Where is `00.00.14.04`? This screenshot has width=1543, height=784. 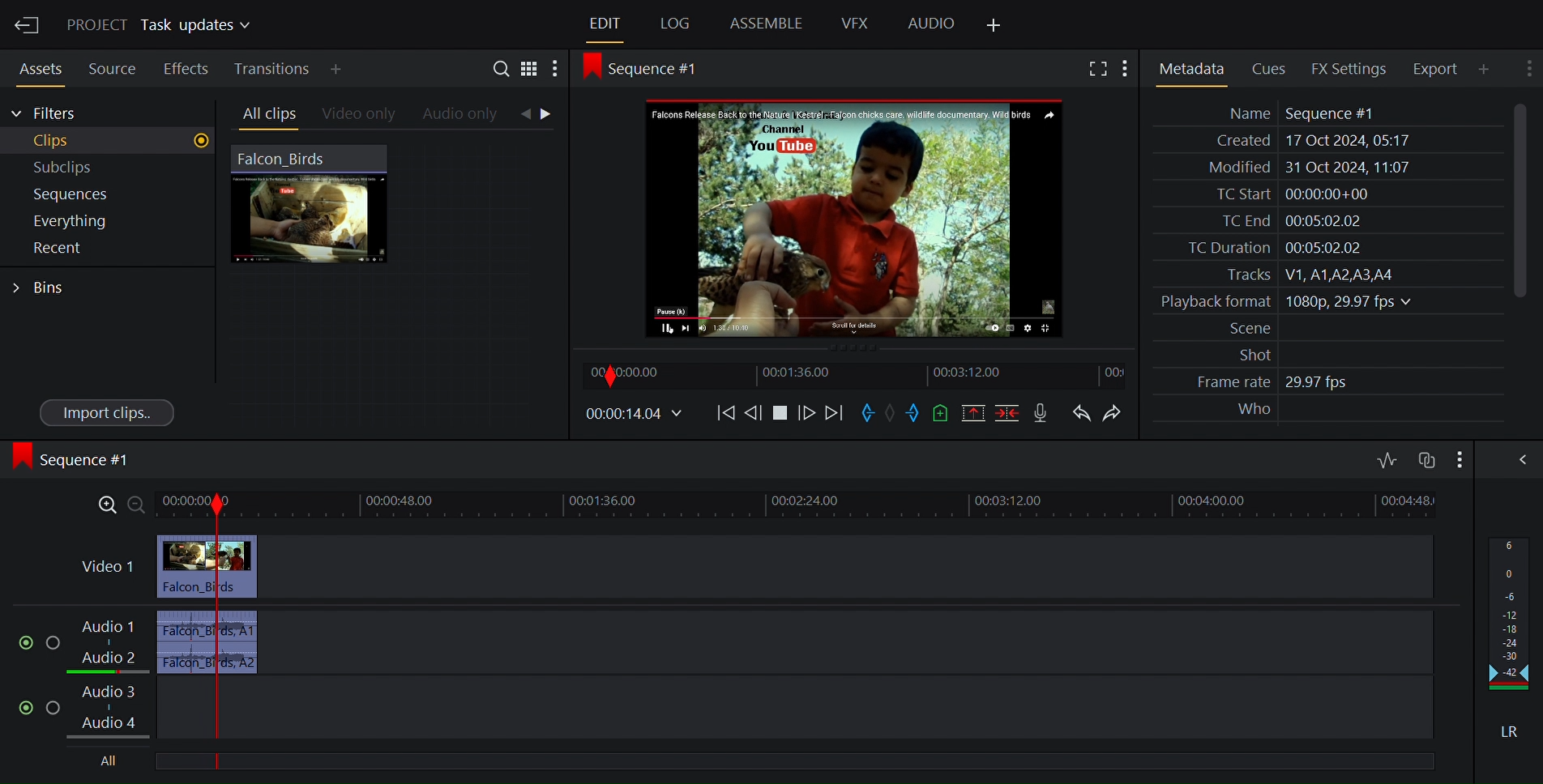 00.00.14.04 is located at coordinates (634, 415).